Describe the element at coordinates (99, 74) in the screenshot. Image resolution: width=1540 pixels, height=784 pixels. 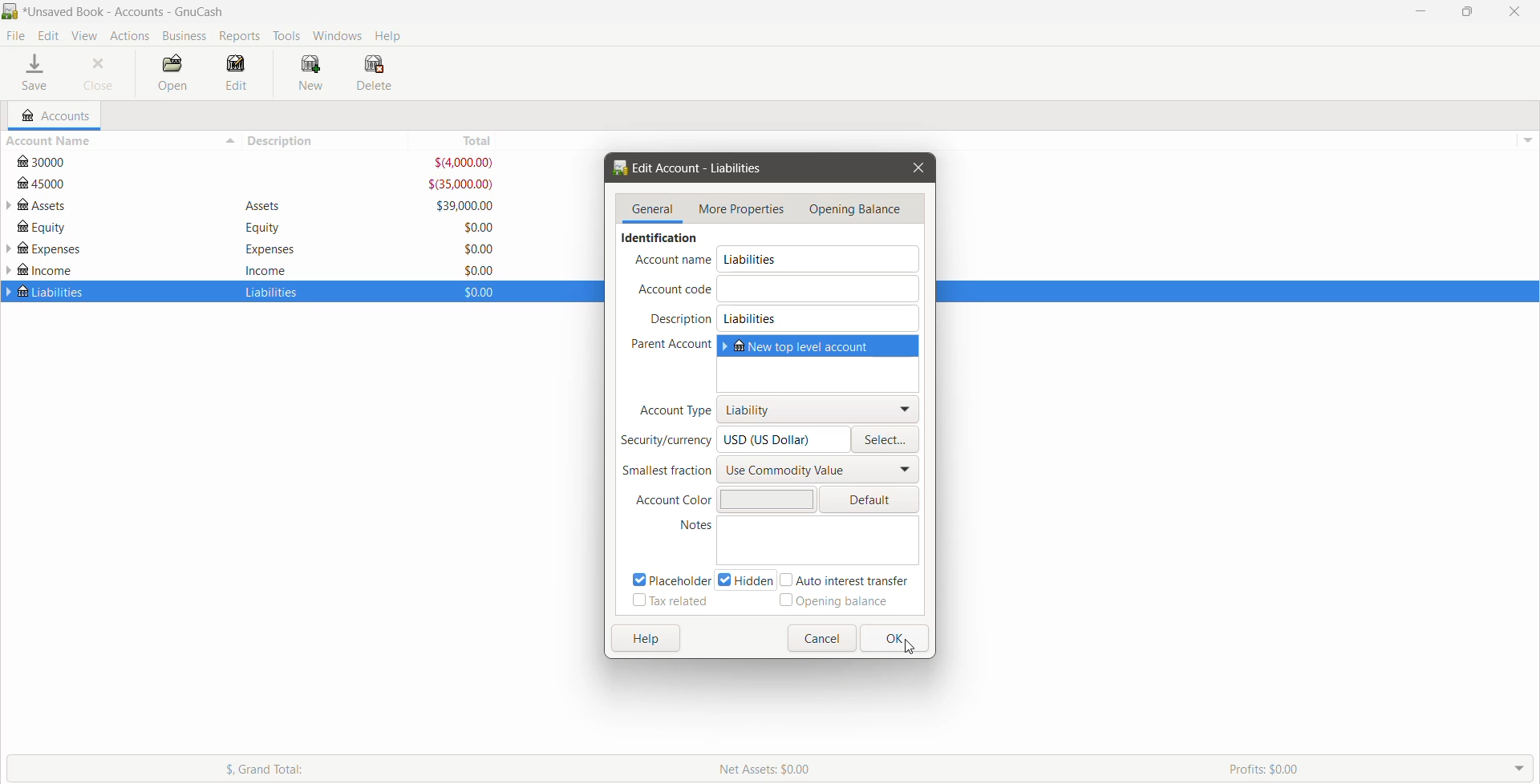
I see `Close` at that location.